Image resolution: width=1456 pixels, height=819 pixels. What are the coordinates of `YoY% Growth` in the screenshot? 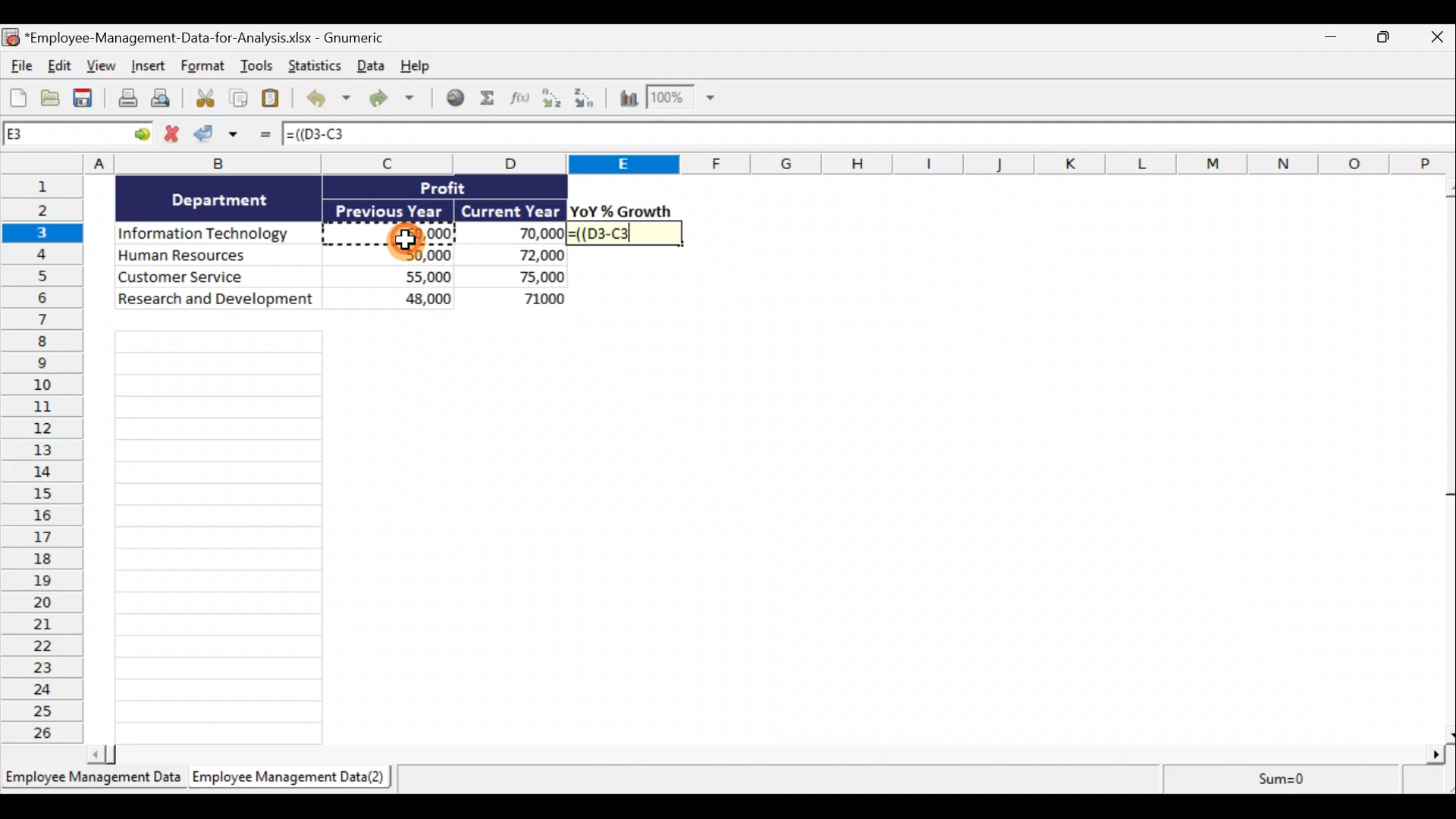 It's located at (622, 211).